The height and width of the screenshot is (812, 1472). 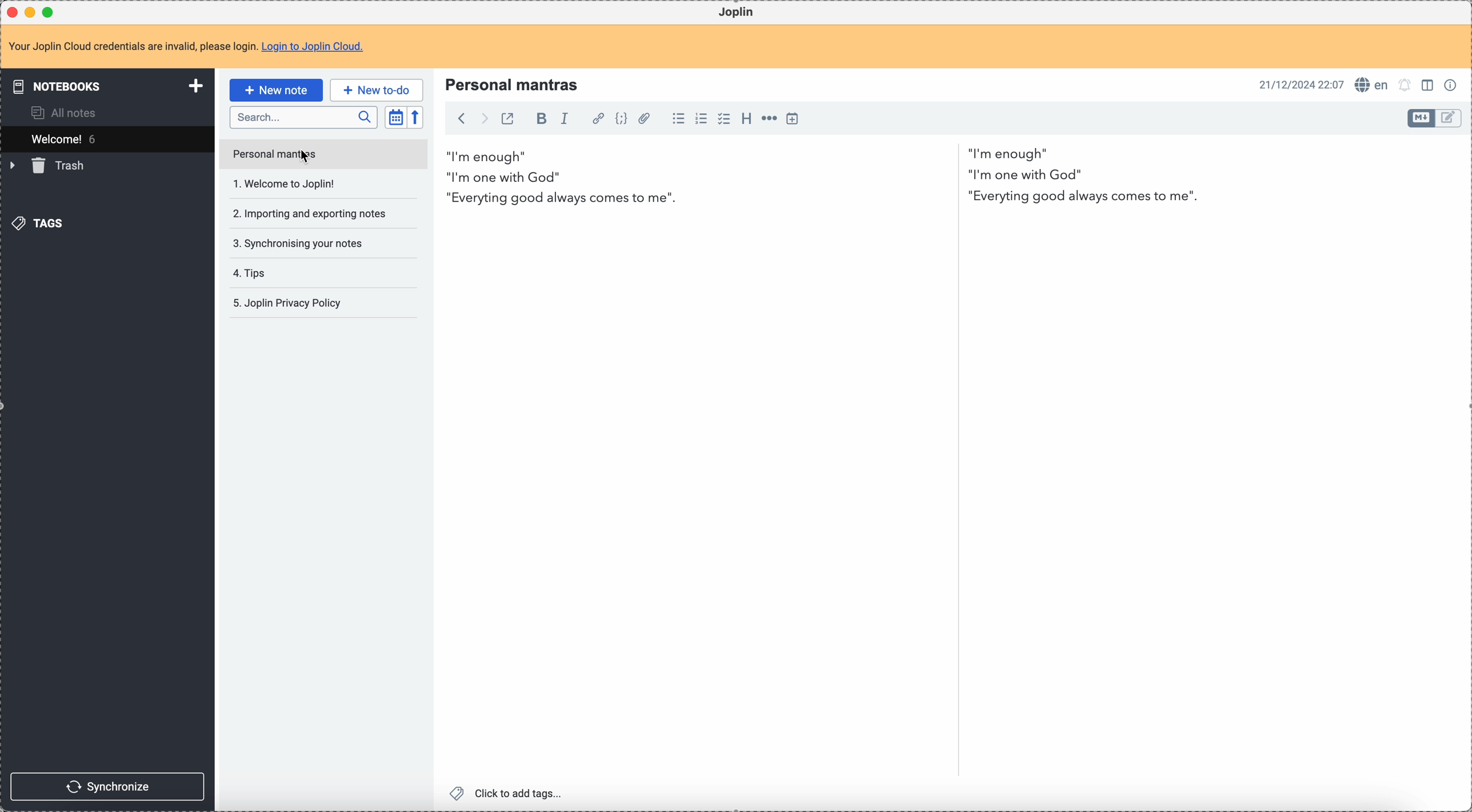 I want to click on click on personal mantras note, so click(x=323, y=154).